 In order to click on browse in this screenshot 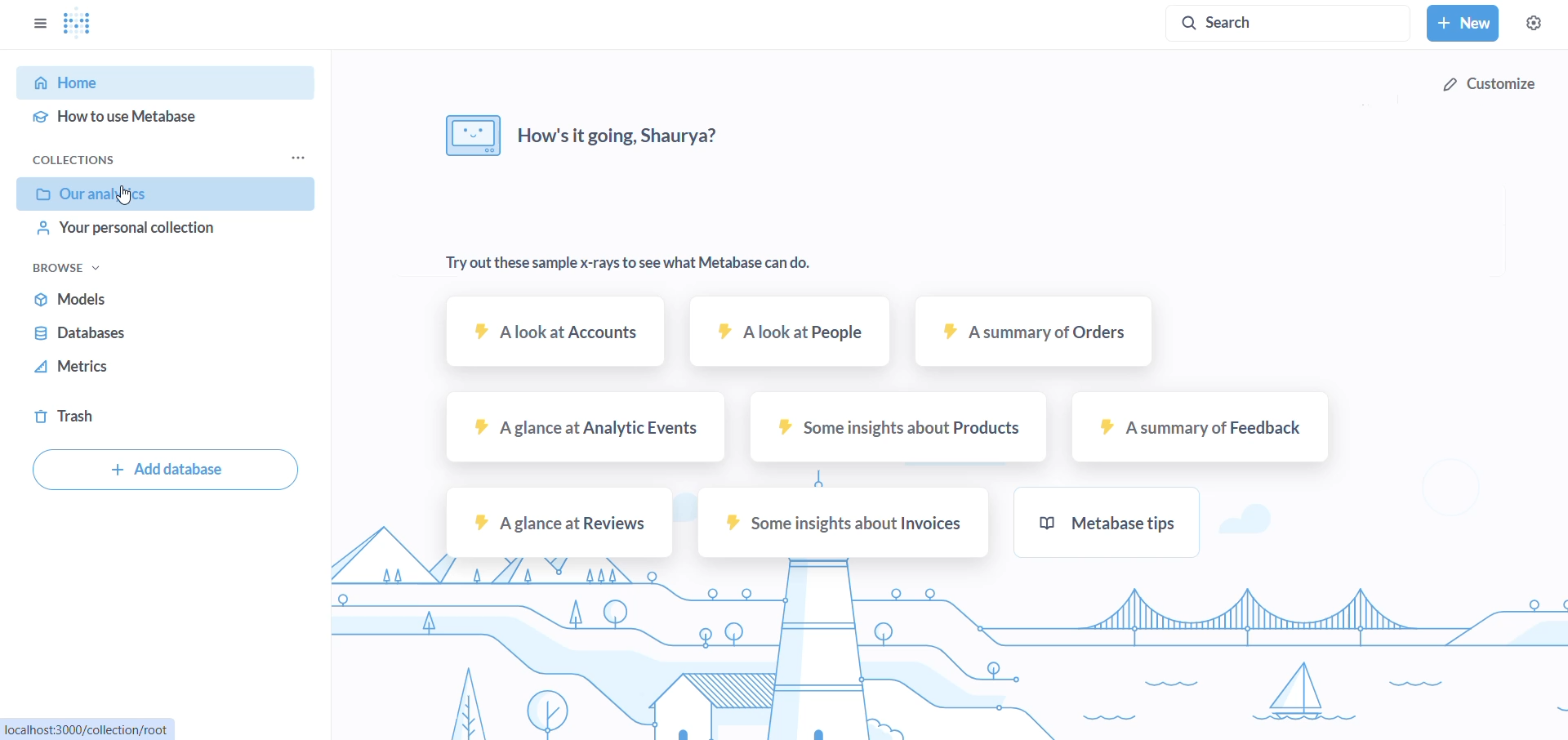, I will do `click(71, 269)`.